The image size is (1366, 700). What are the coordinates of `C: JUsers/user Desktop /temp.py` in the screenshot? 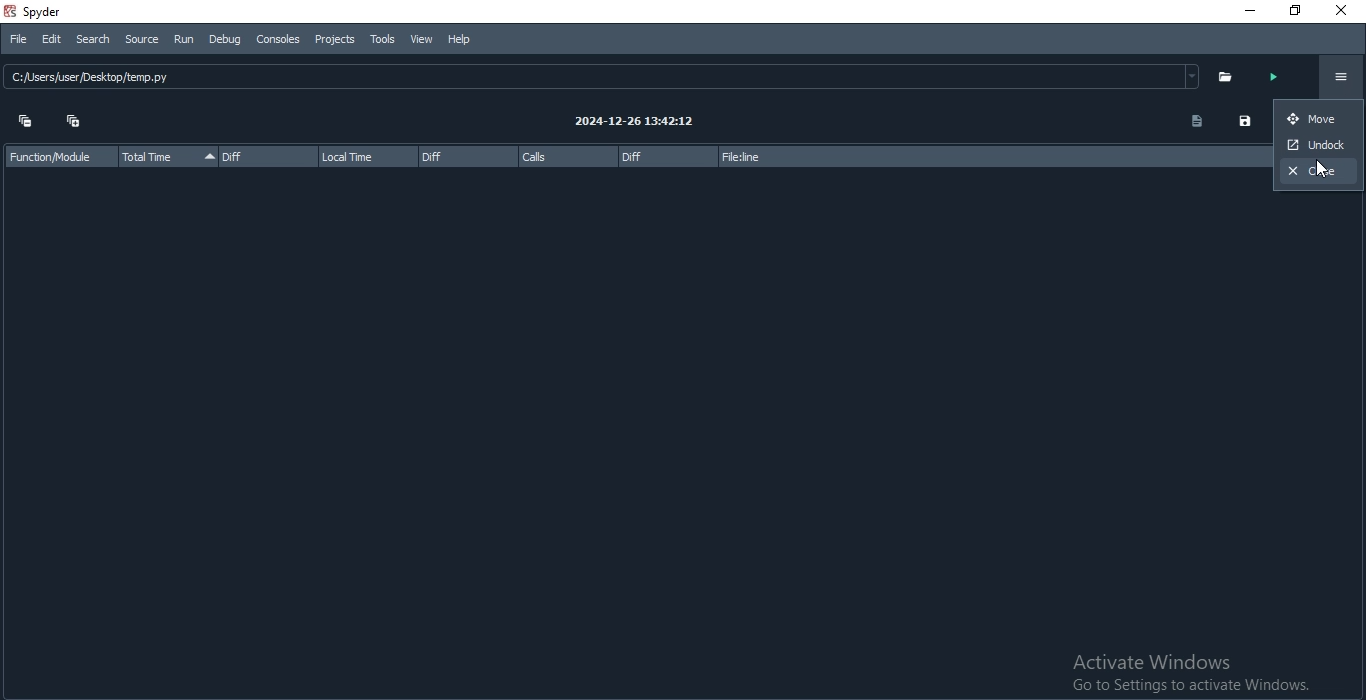 It's located at (605, 75).